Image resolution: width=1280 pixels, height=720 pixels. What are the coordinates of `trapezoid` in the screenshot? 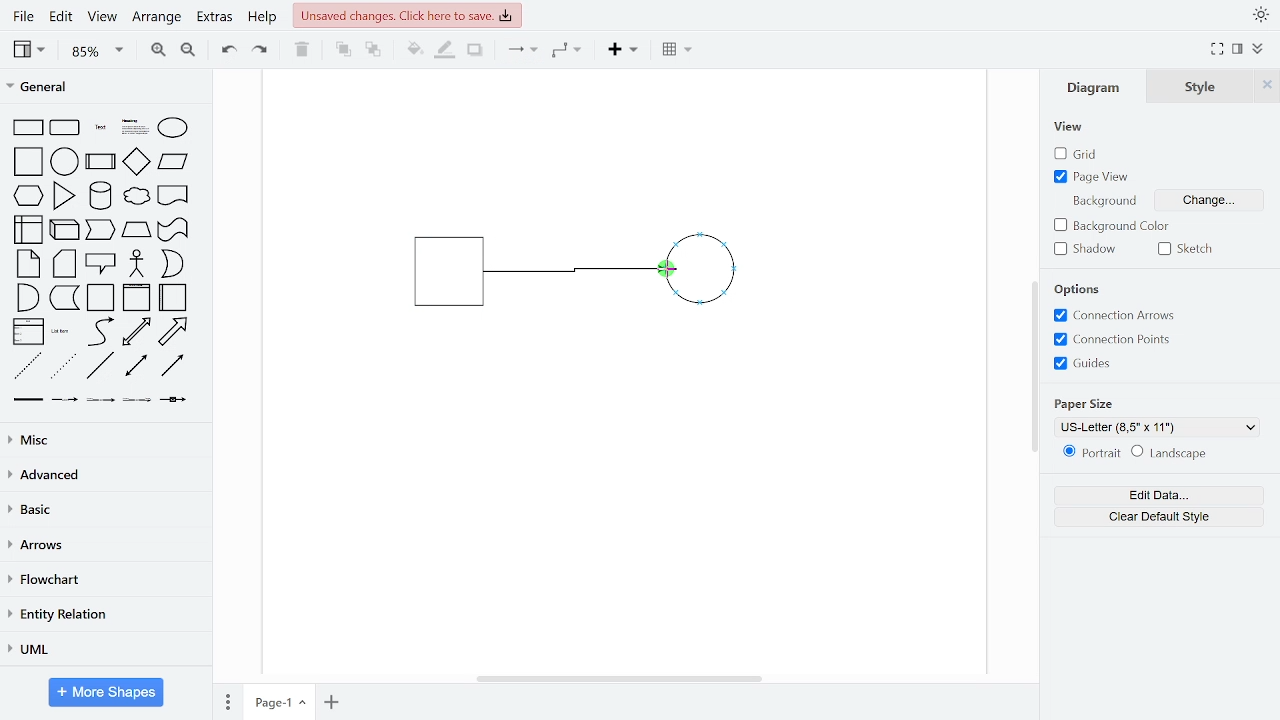 It's located at (136, 229).